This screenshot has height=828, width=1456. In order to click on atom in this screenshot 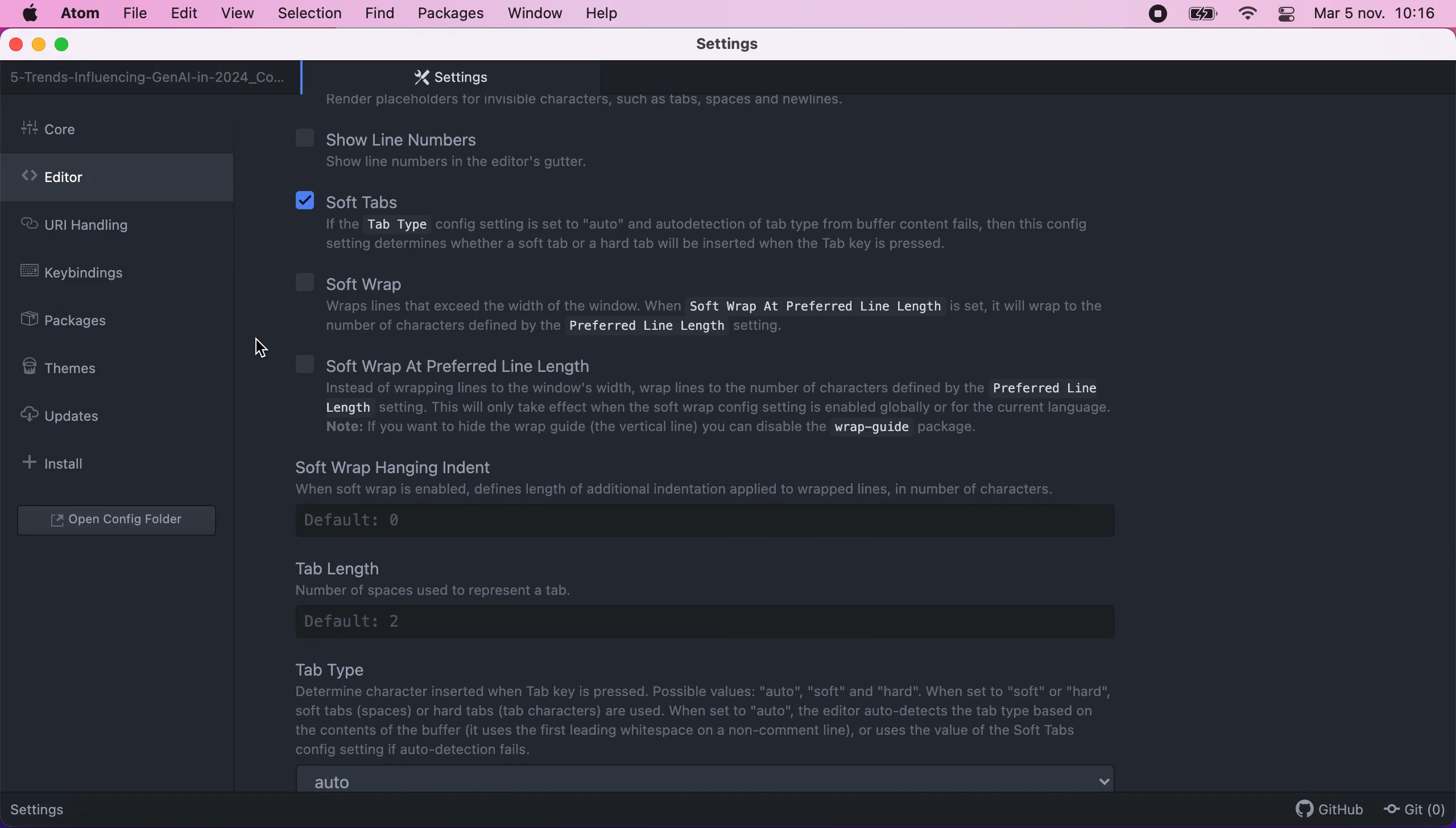, I will do `click(79, 13)`.